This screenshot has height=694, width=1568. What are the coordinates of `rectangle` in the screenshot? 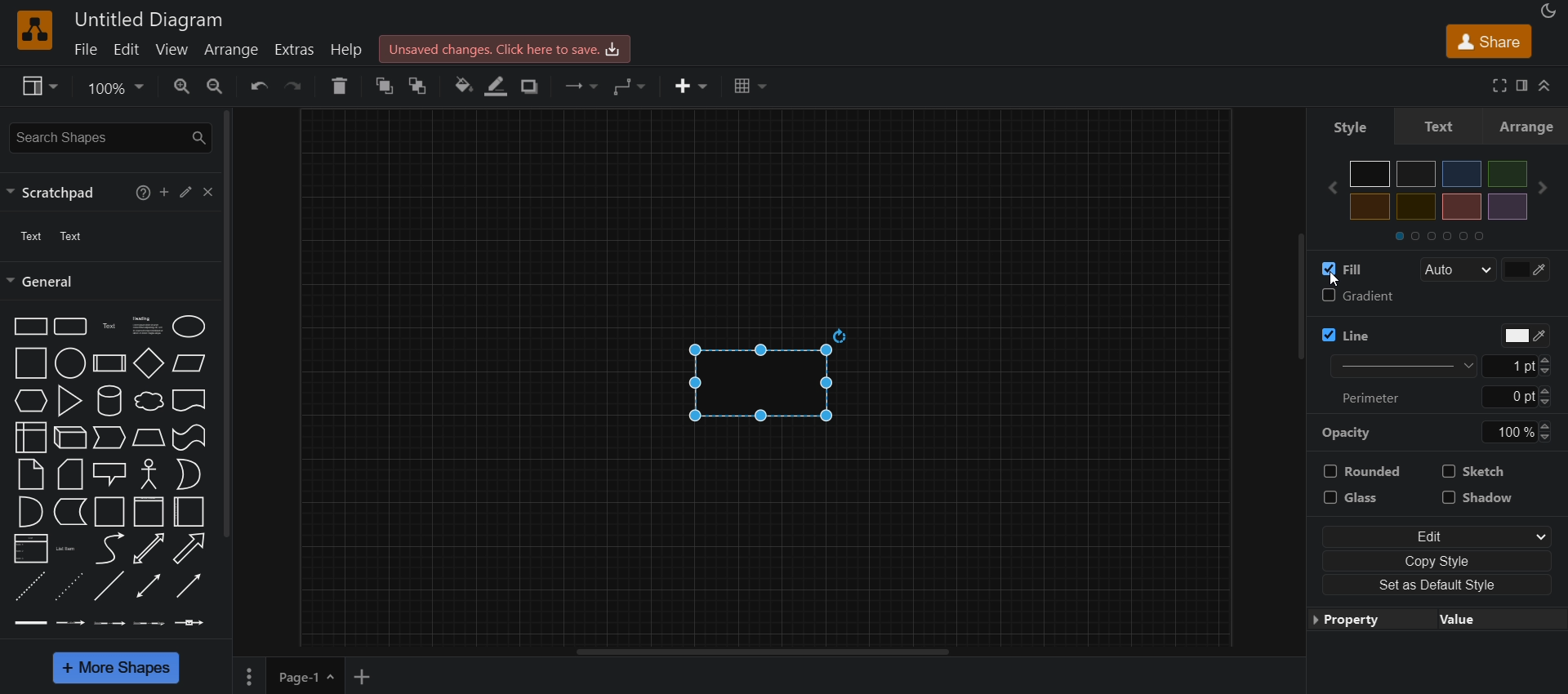 It's located at (29, 326).